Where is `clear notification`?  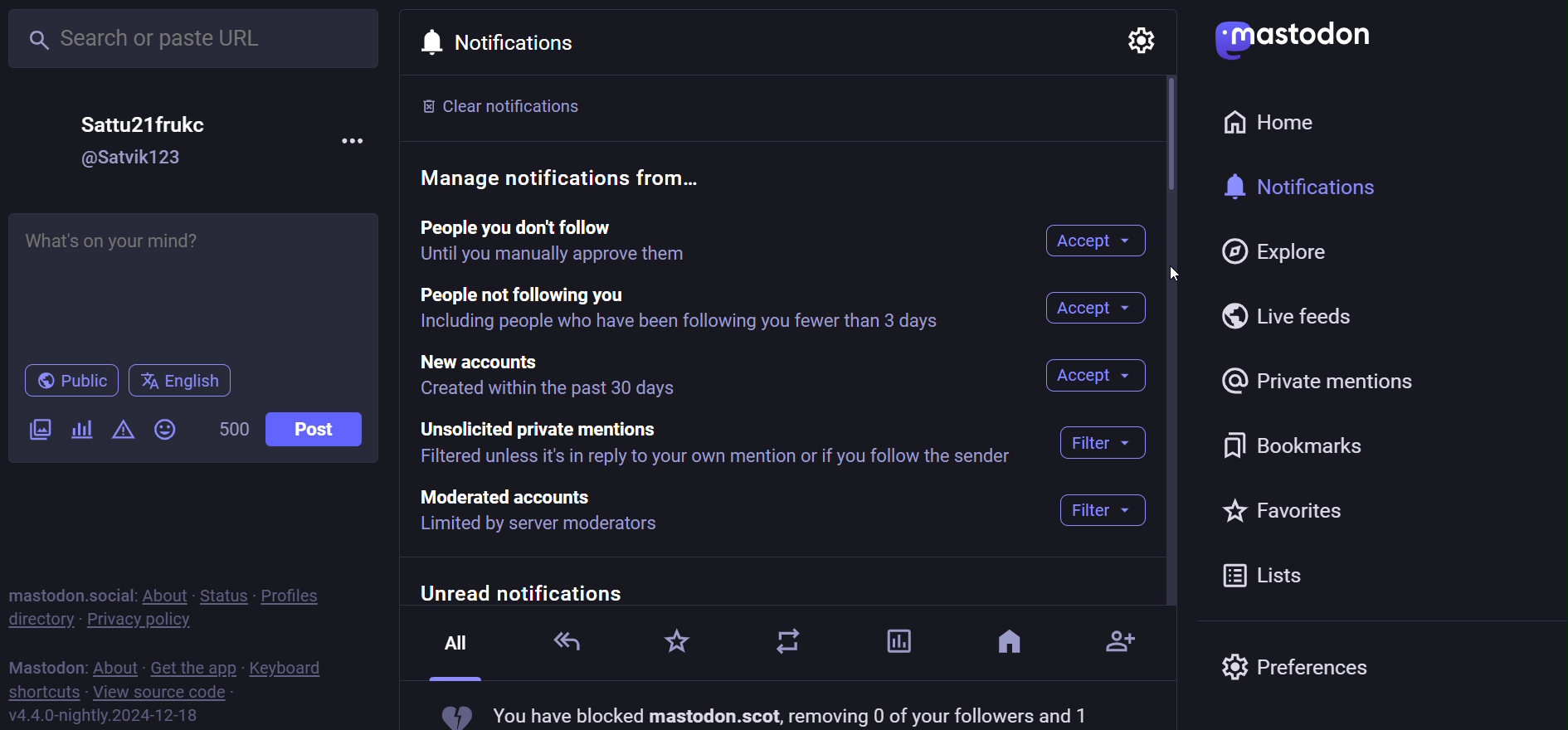
clear notification is located at coordinates (509, 105).